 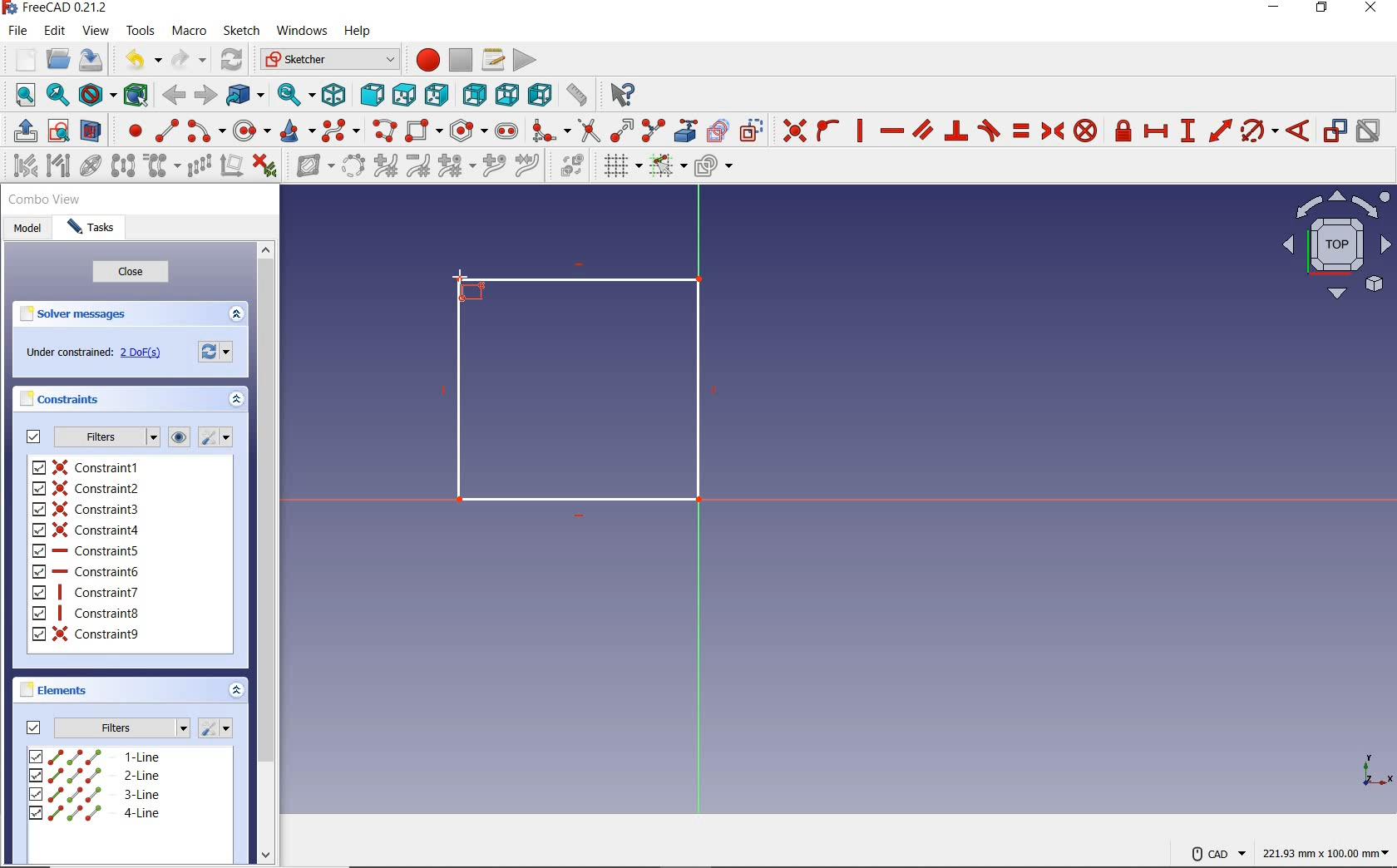 I want to click on constraint9, so click(x=88, y=634).